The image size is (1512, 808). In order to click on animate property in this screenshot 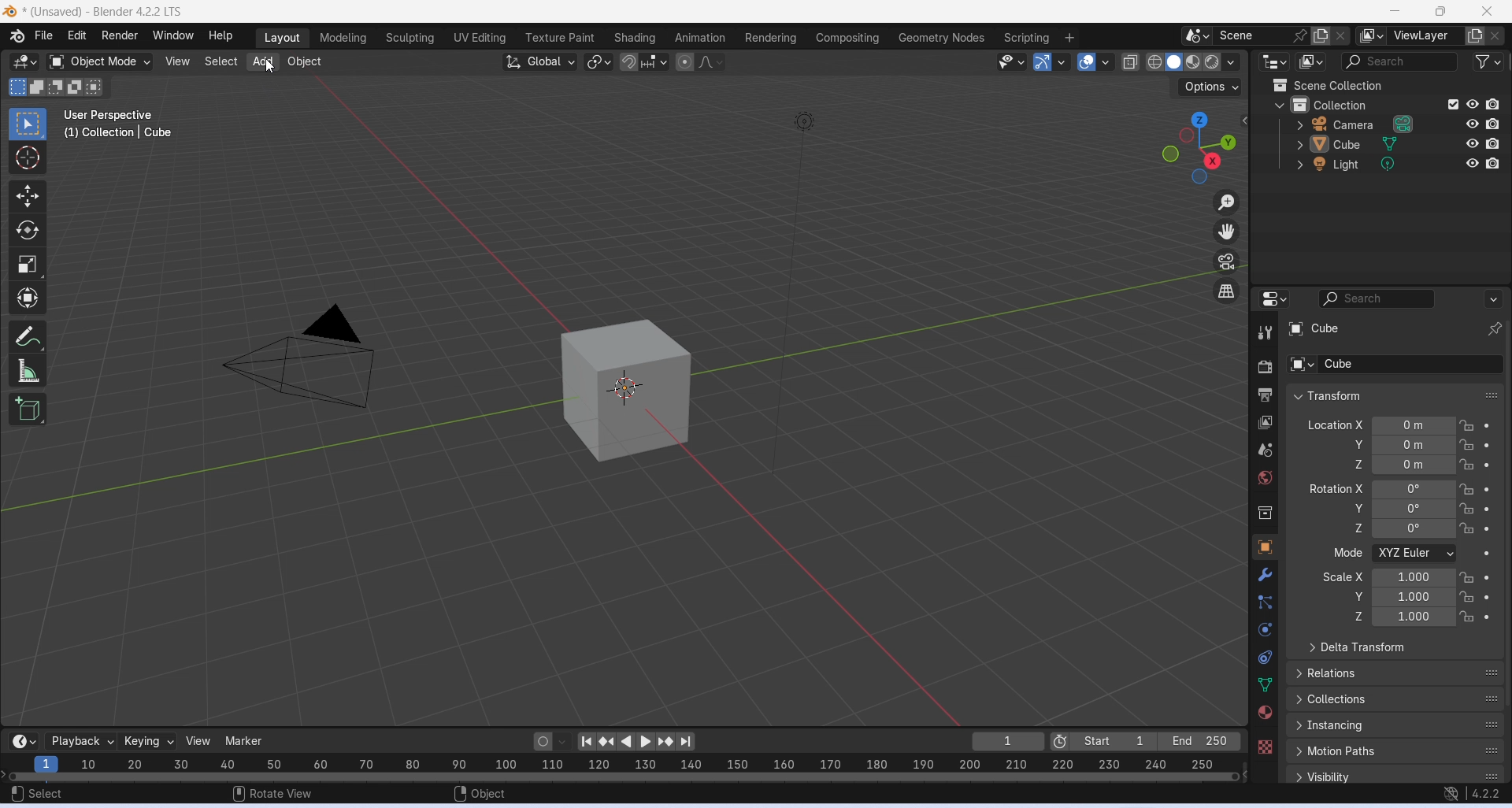, I will do `click(1486, 489)`.